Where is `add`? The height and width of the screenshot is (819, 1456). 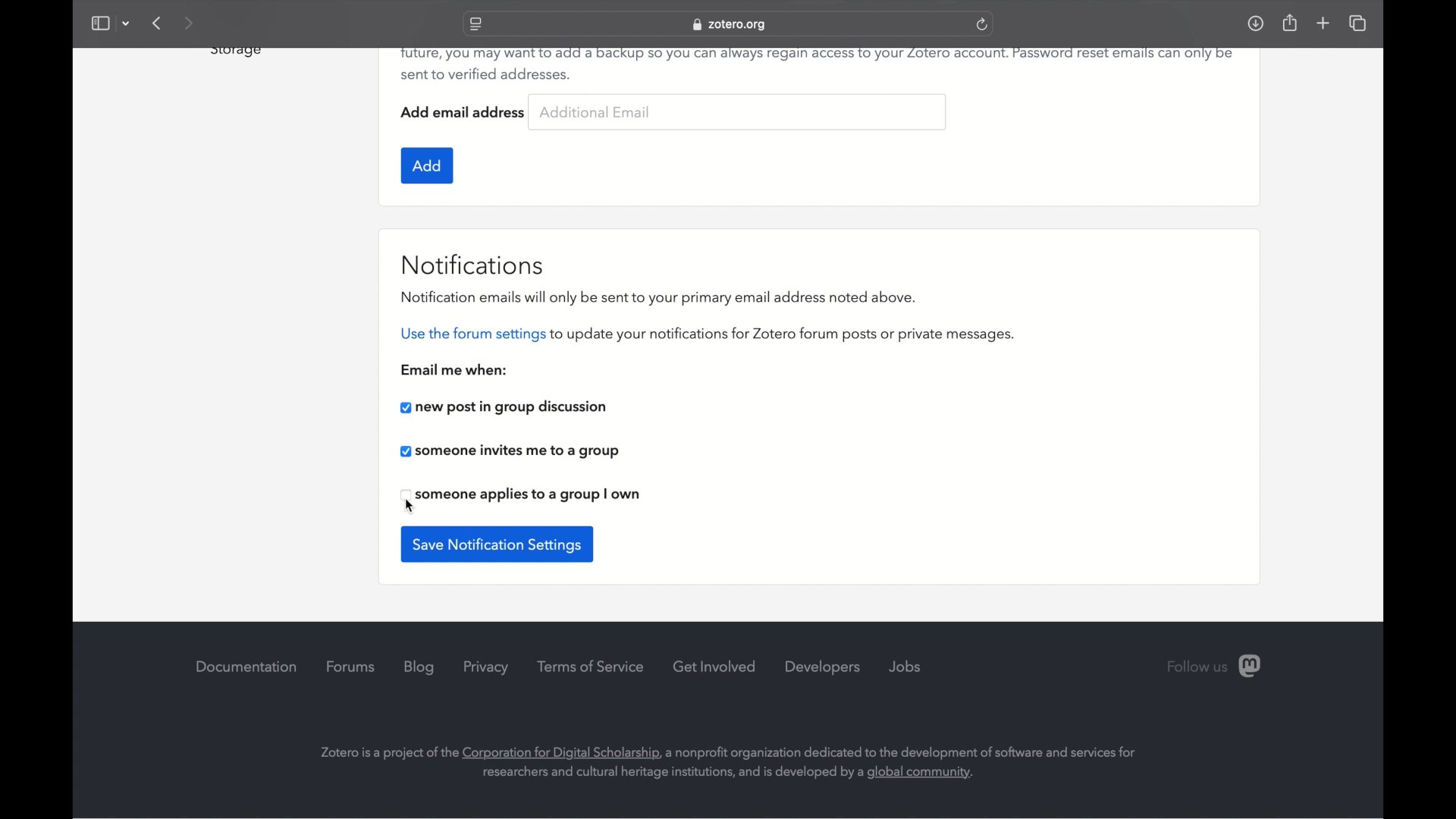 add is located at coordinates (427, 164).